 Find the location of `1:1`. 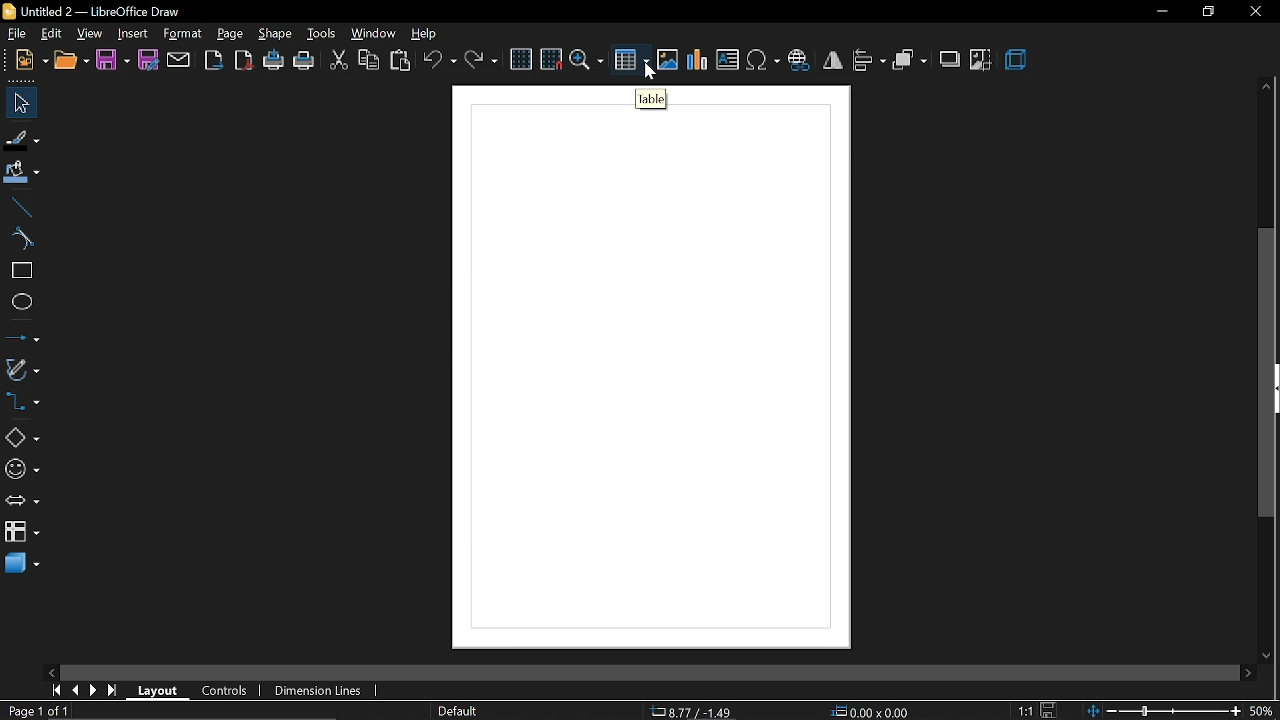

1:1 is located at coordinates (1025, 711).